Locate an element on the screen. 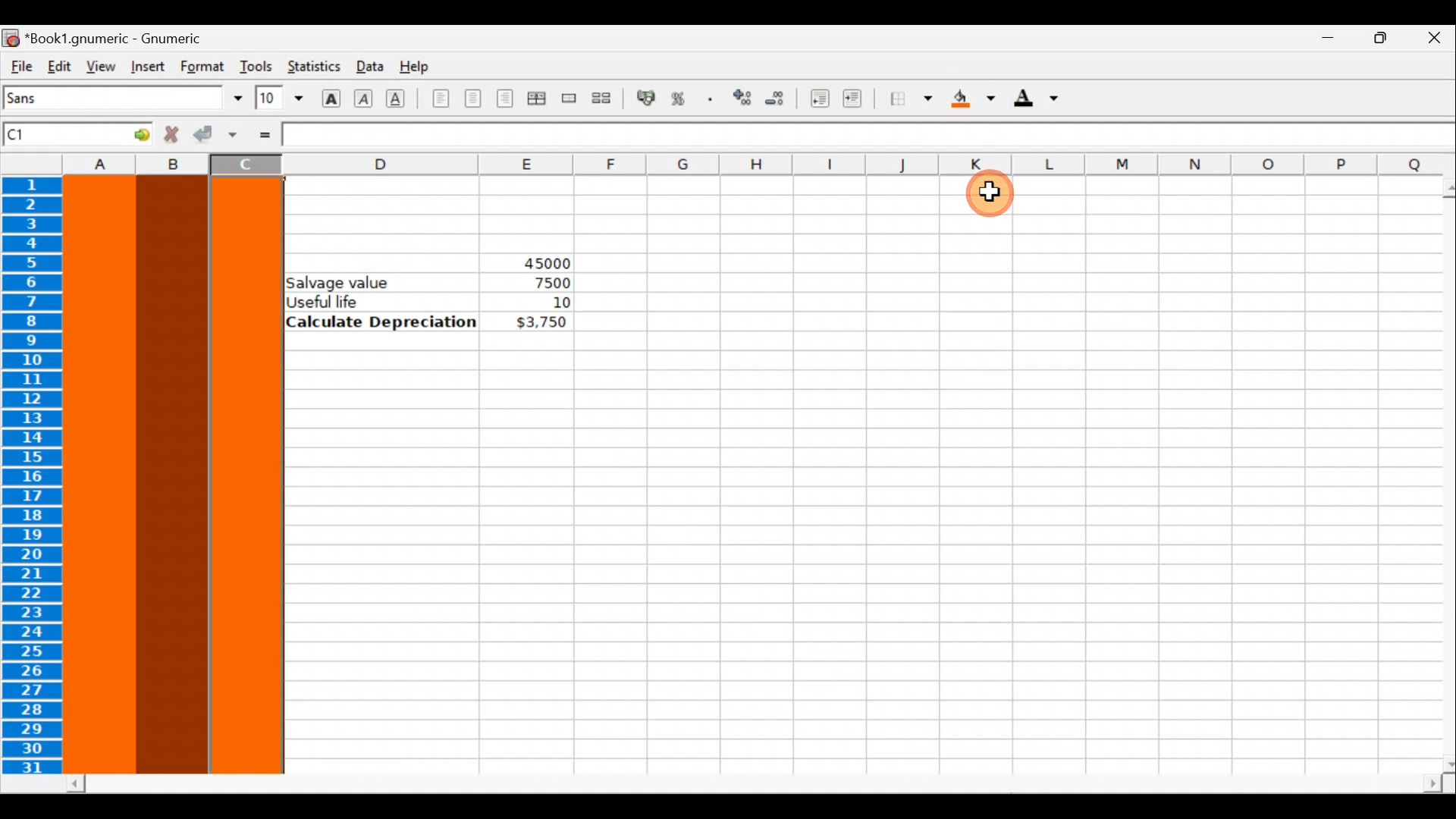  Statistics is located at coordinates (312, 67).